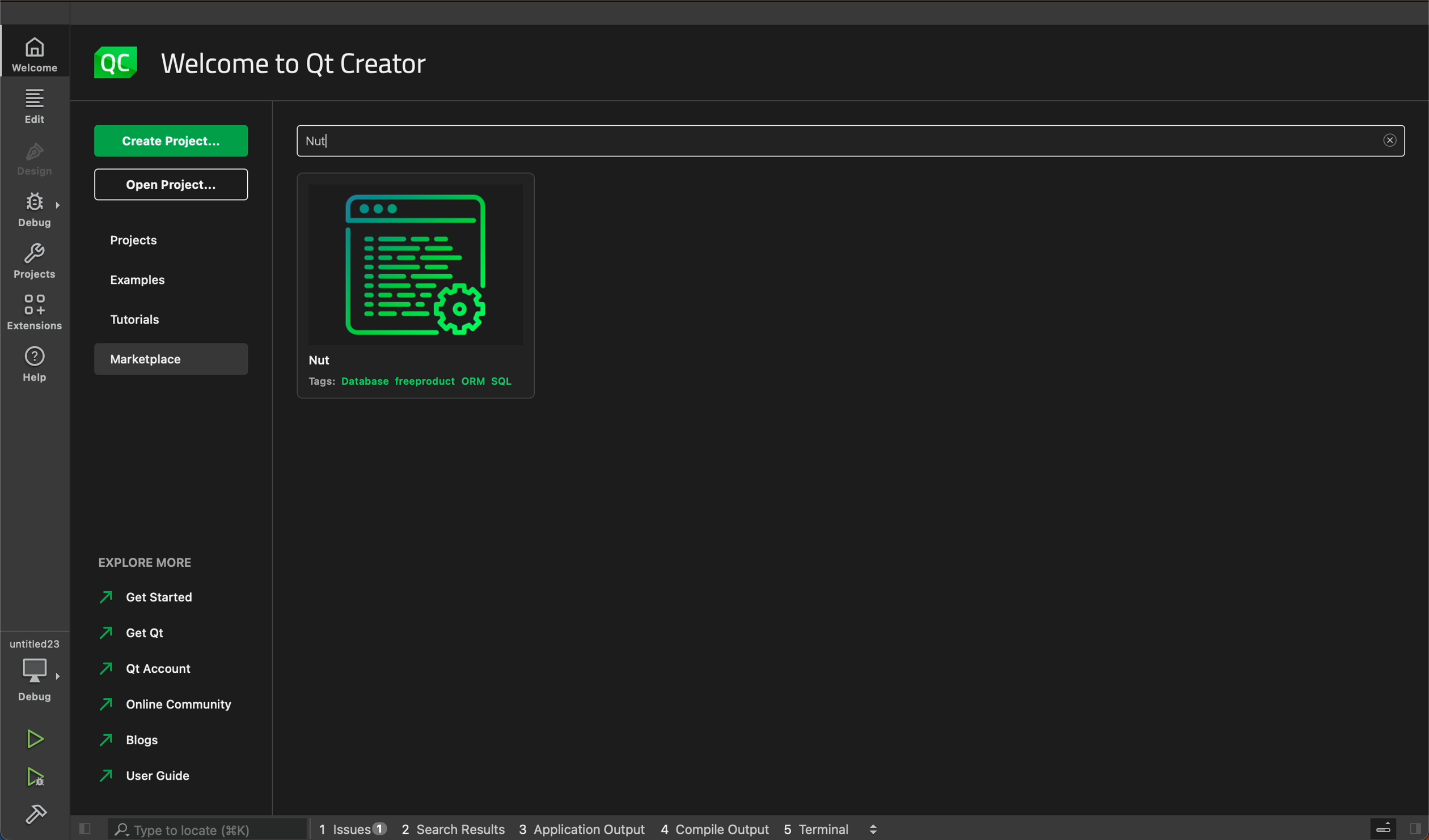 The height and width of the screenshot is (840, 1429). What do you see at coordinates (152, 562) in the screenshot?
I see `` at bounding box center [152, 562].